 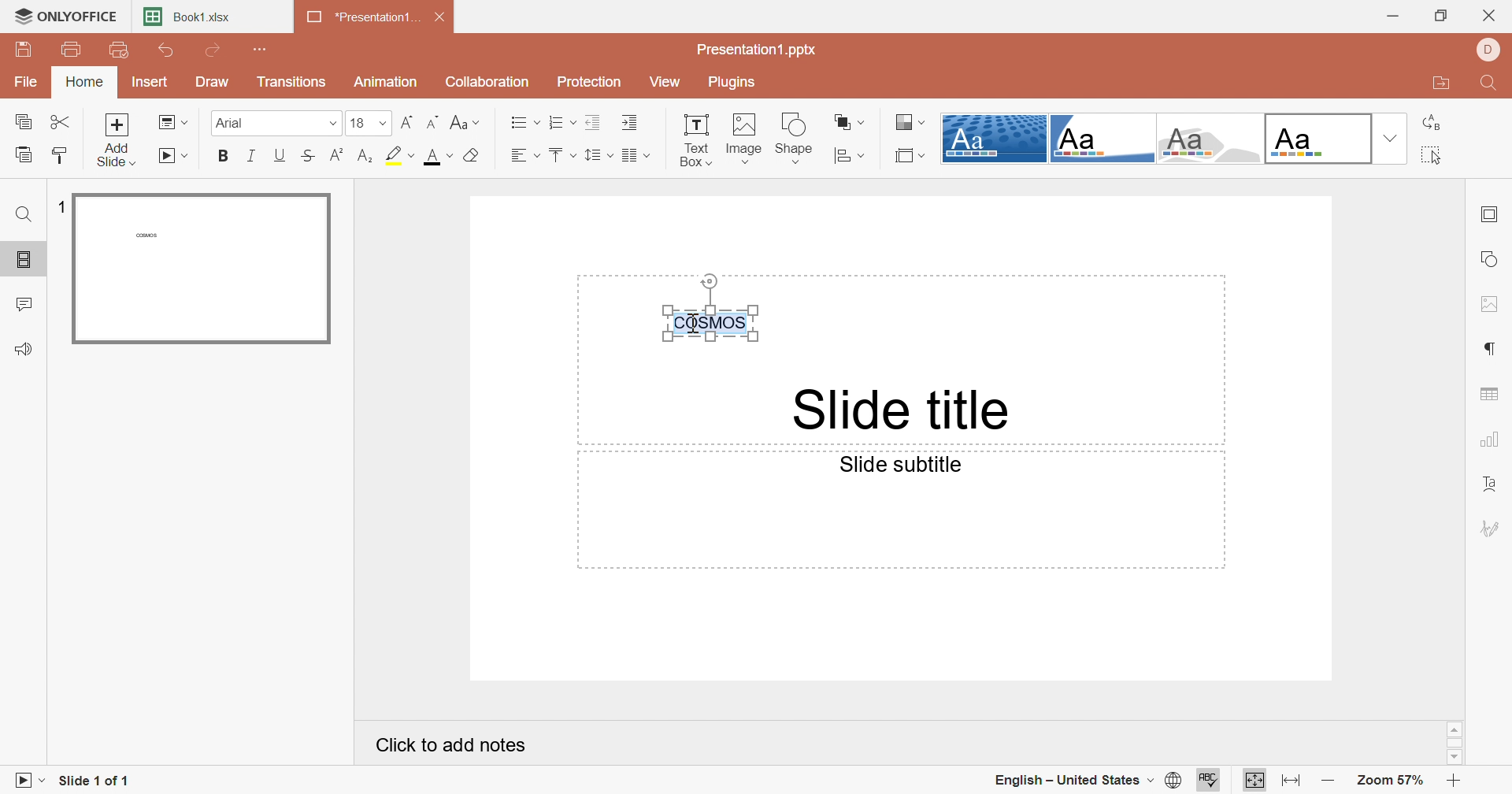 What do you see at coordinates (251, 155) in the screenshot?
I see `Italic` at bounding box center [251, 155].